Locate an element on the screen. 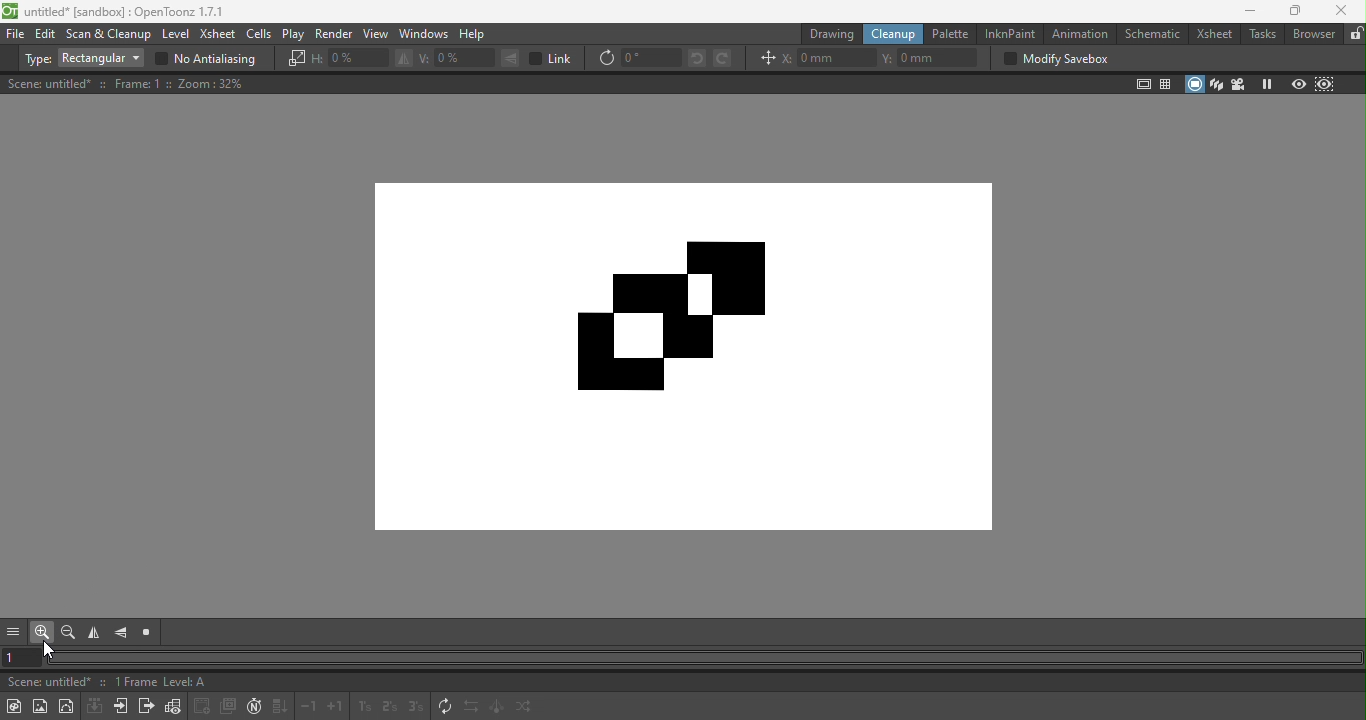  Animation is located at coordinates (1079, 34).